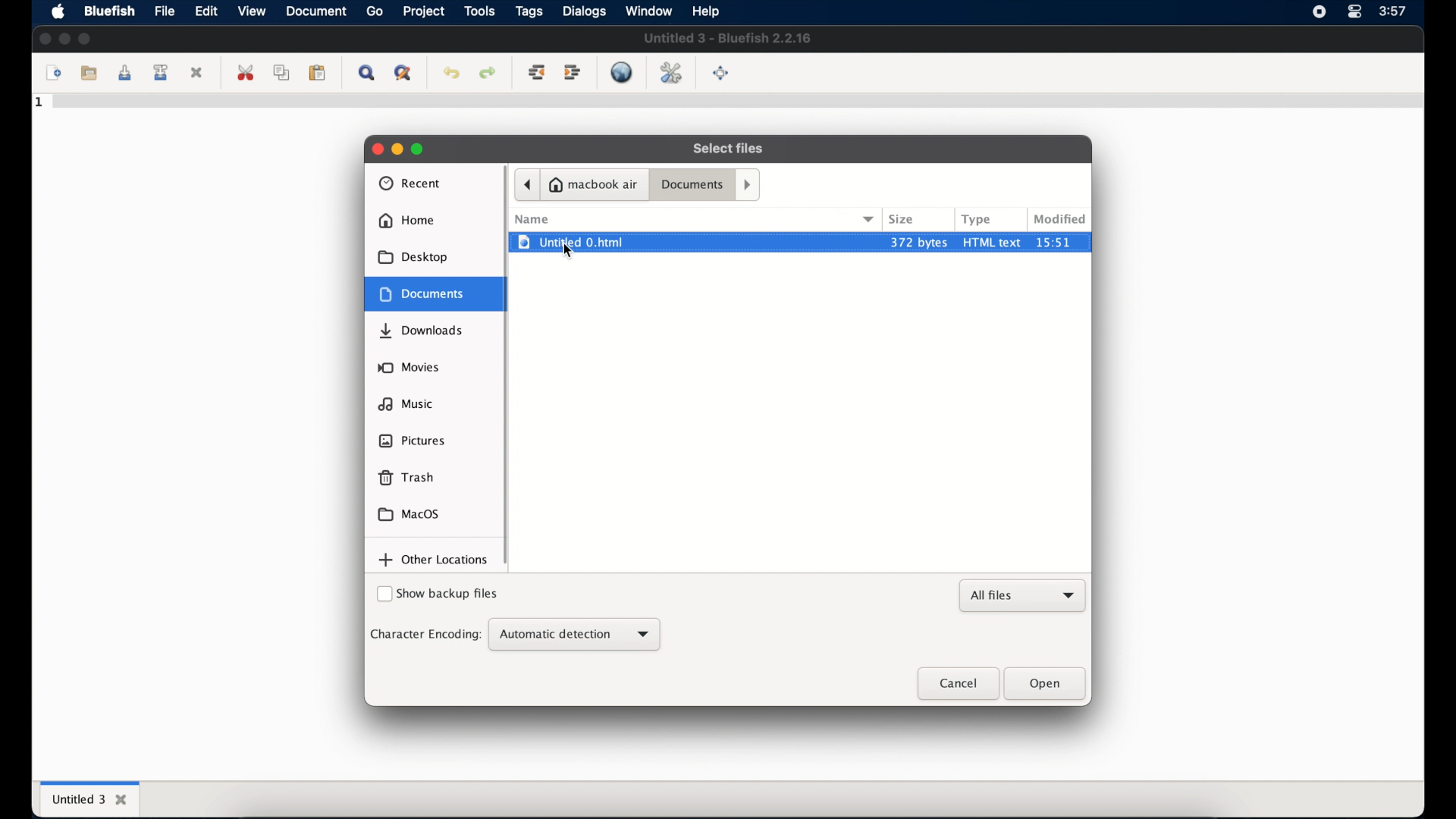  I want to click on edit preferences, so click(670, 72).